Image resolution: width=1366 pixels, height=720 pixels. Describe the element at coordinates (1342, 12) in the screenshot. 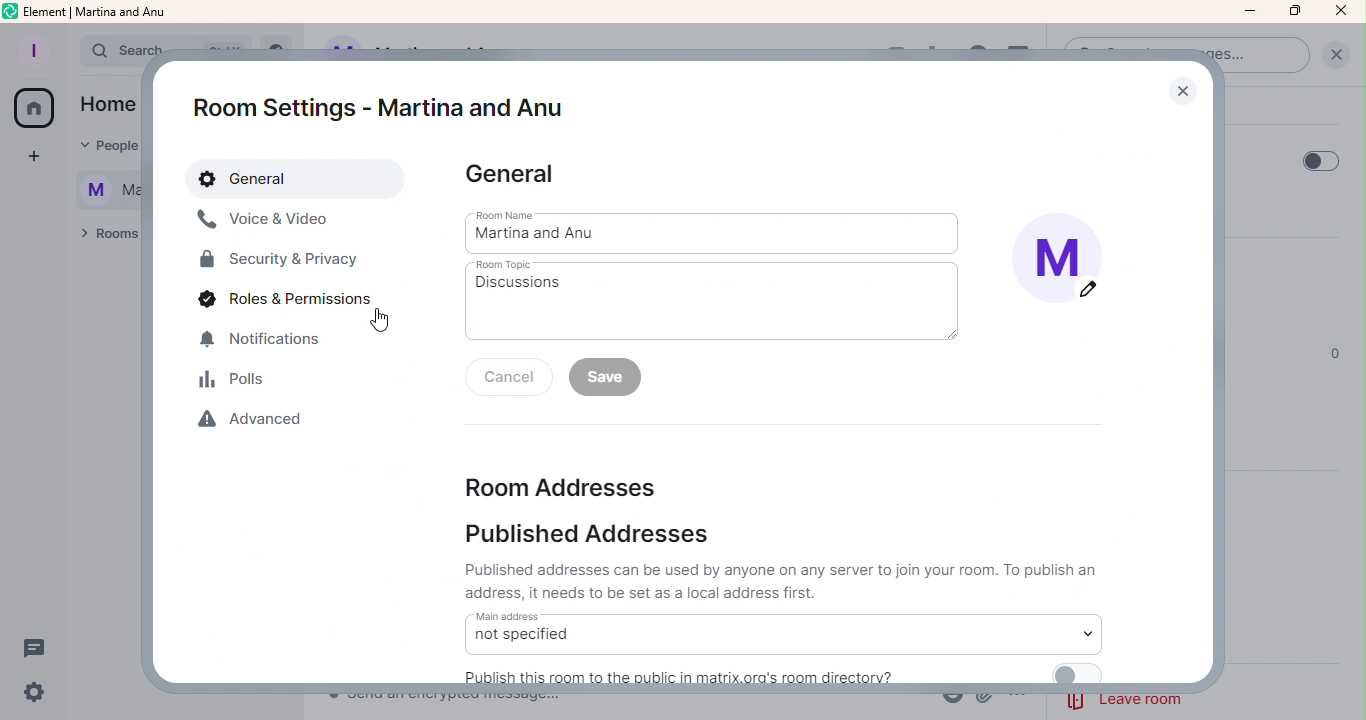

I see `Close Icon` at that location.